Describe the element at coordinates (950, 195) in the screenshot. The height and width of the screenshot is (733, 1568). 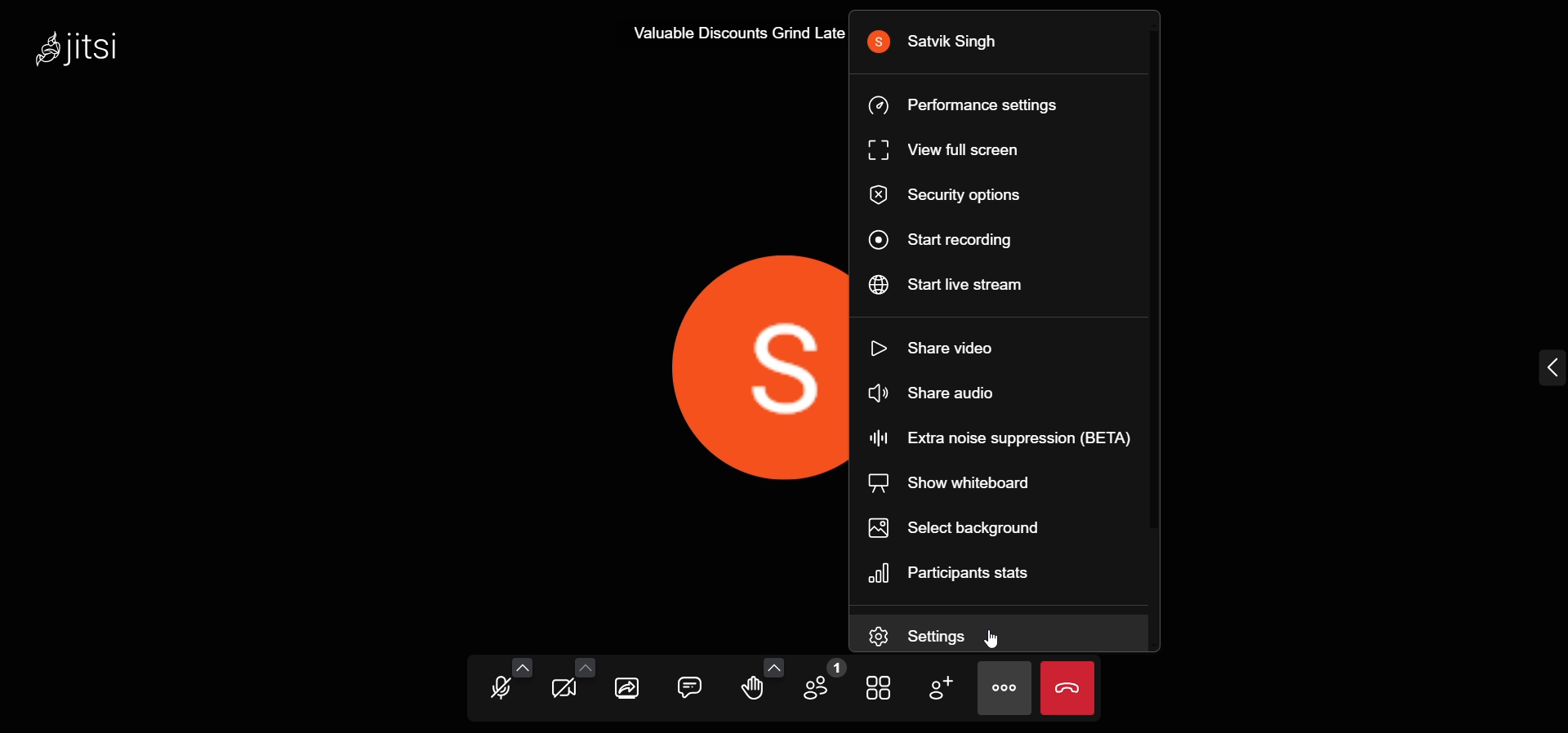
I see `security option` at that location.